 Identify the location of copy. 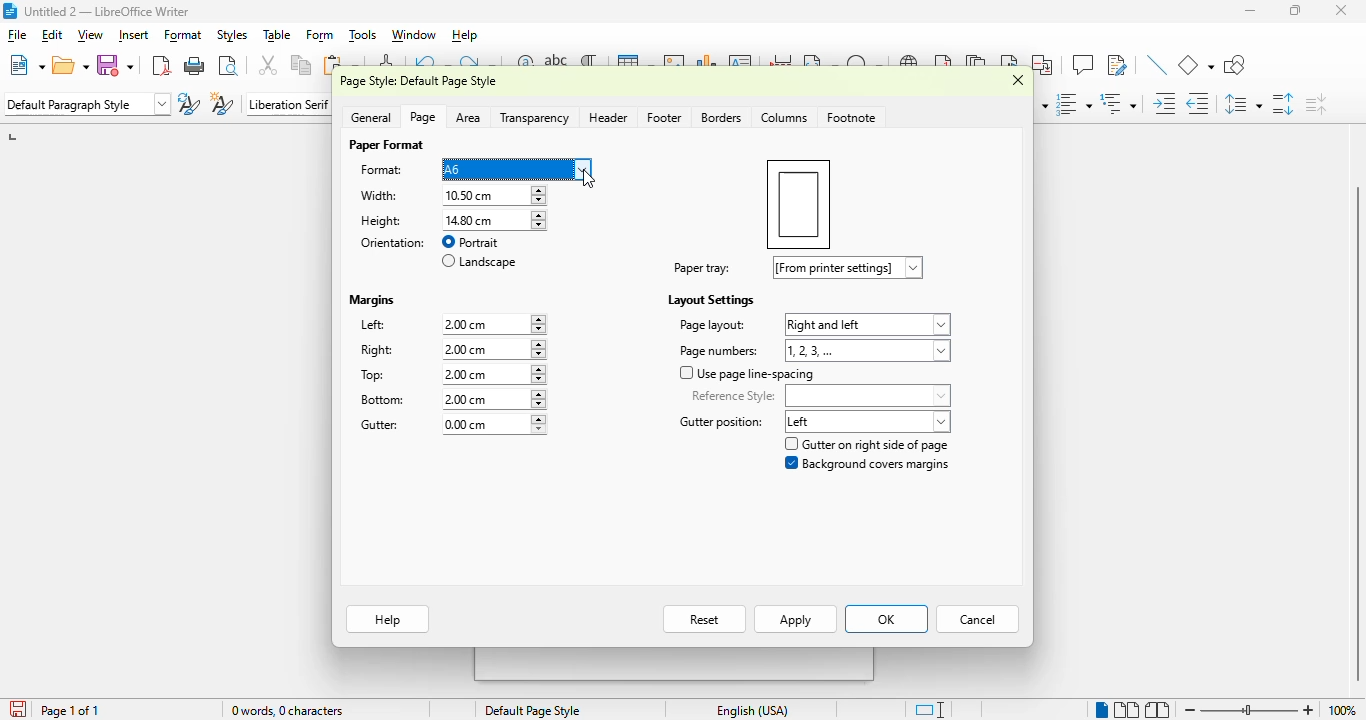
(301, 65).